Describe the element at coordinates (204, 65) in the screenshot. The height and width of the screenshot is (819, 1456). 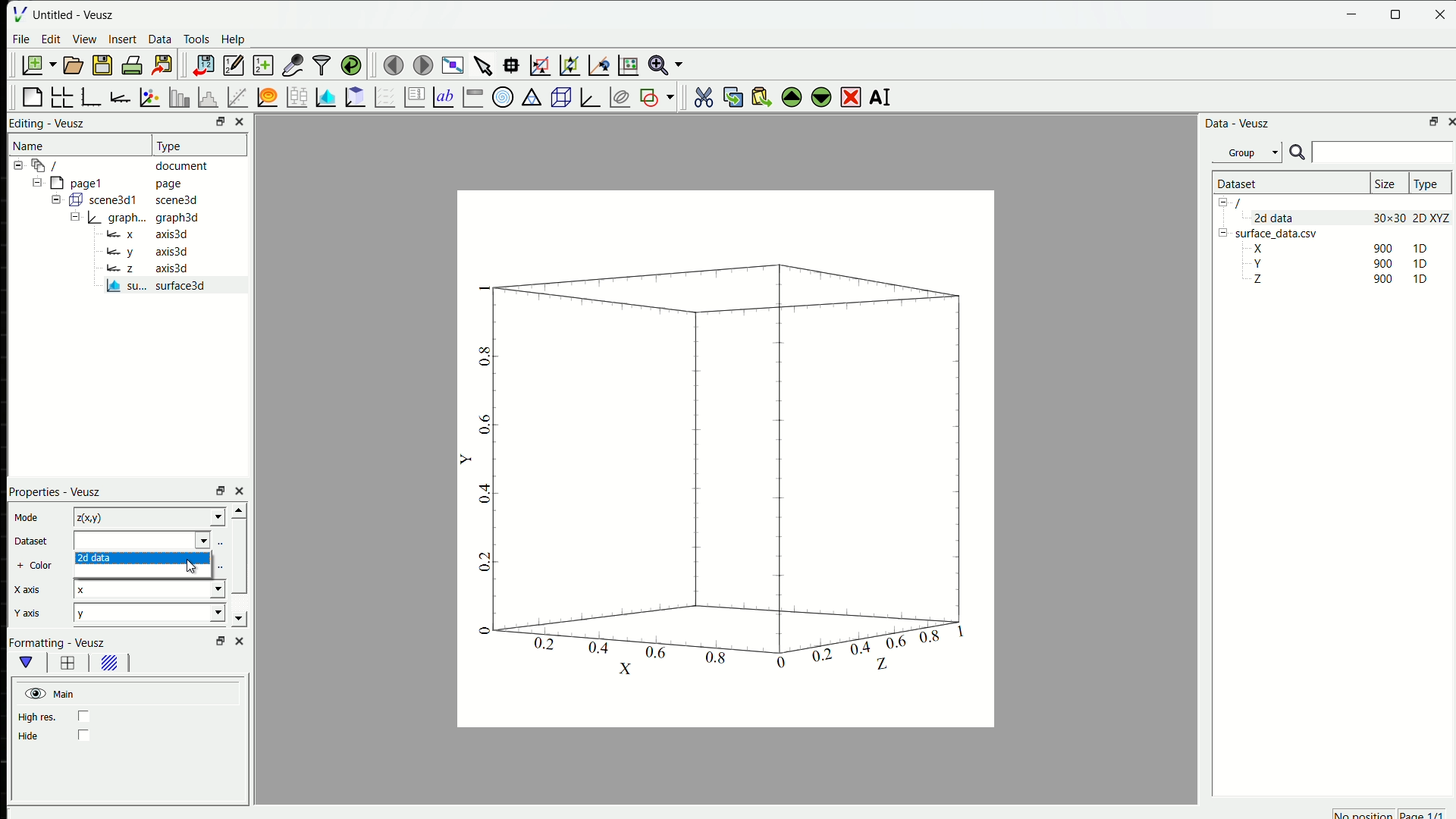
I see `import data` at that location.